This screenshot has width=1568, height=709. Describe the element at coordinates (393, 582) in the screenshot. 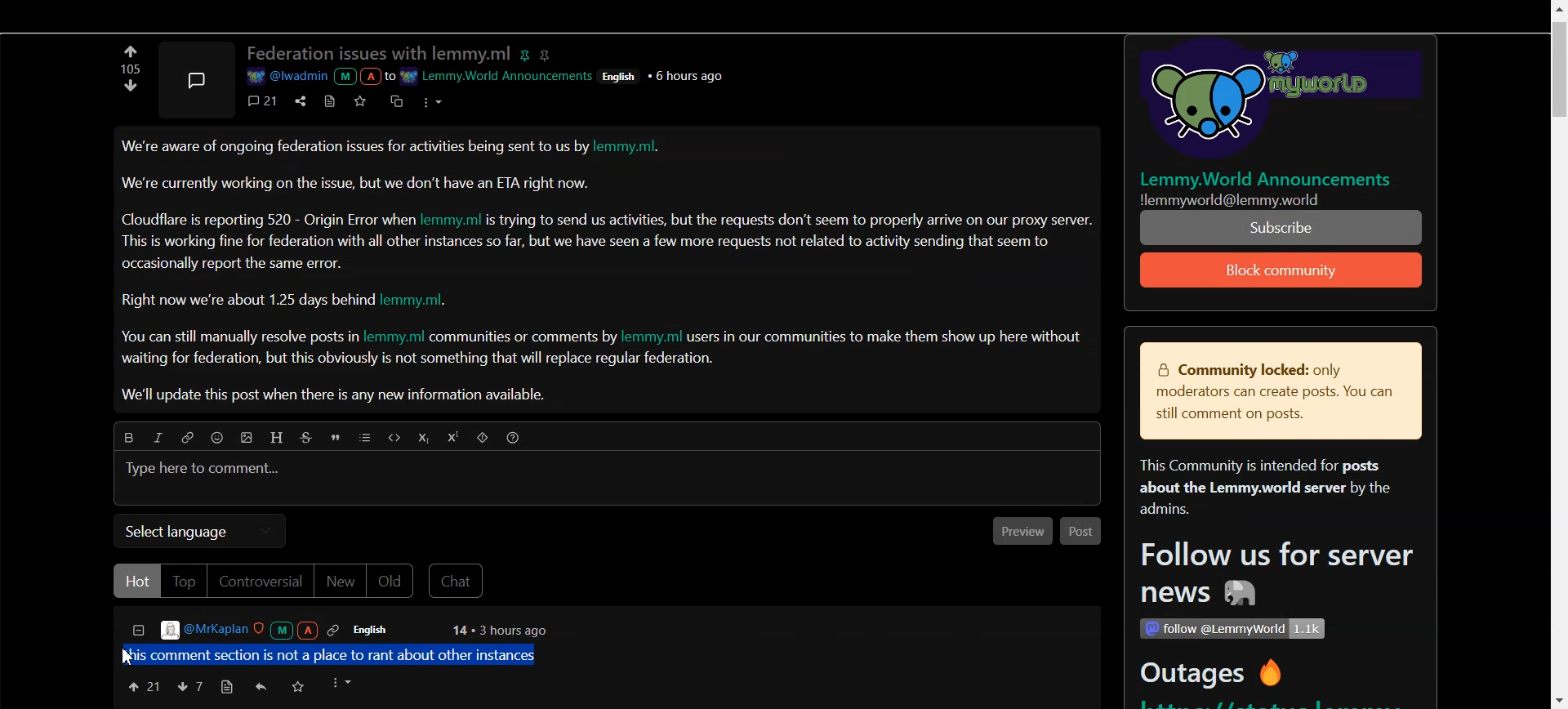

I see `Old` at that location.